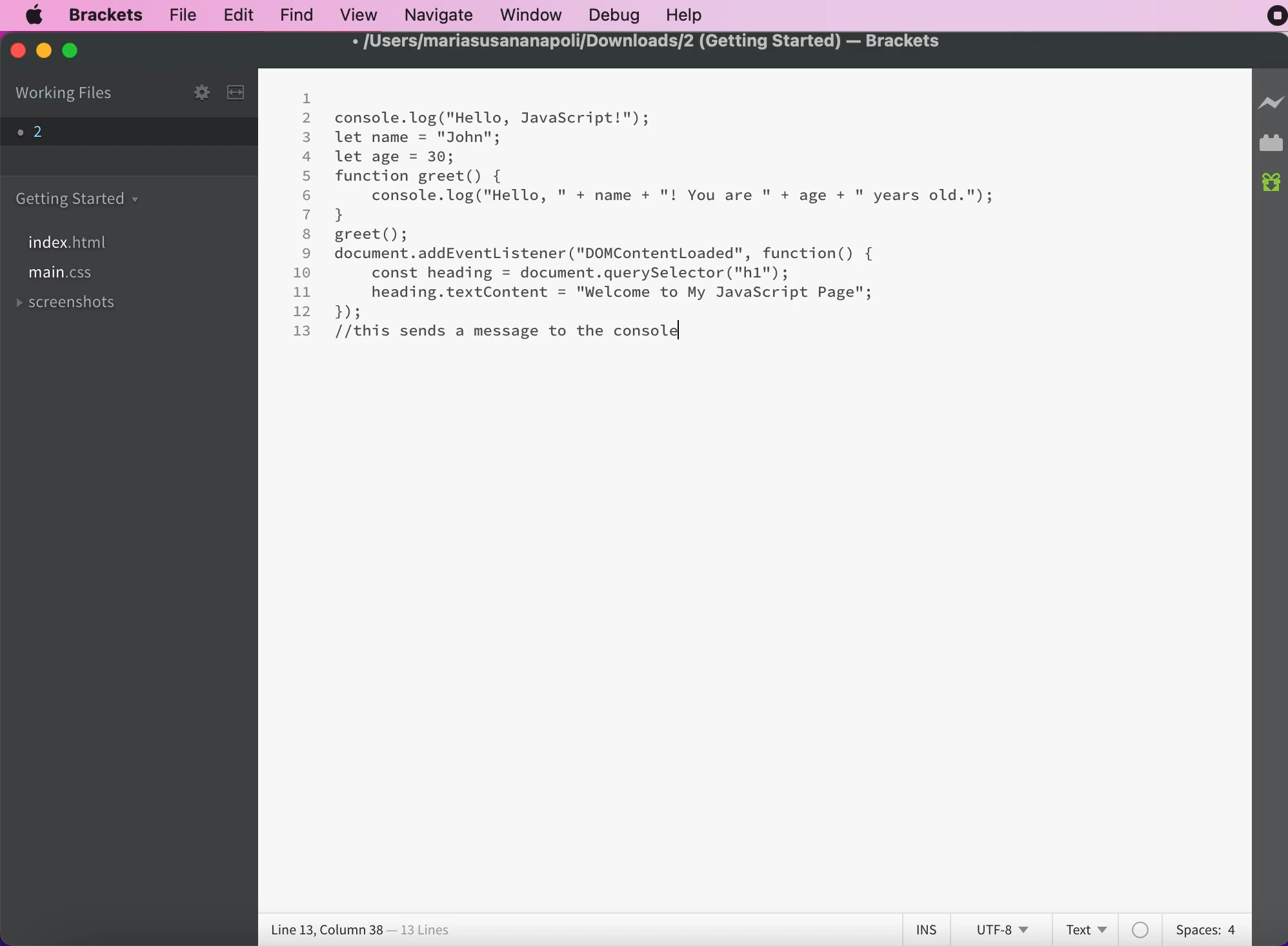  I want to click on live preview, so click(1271, 103).